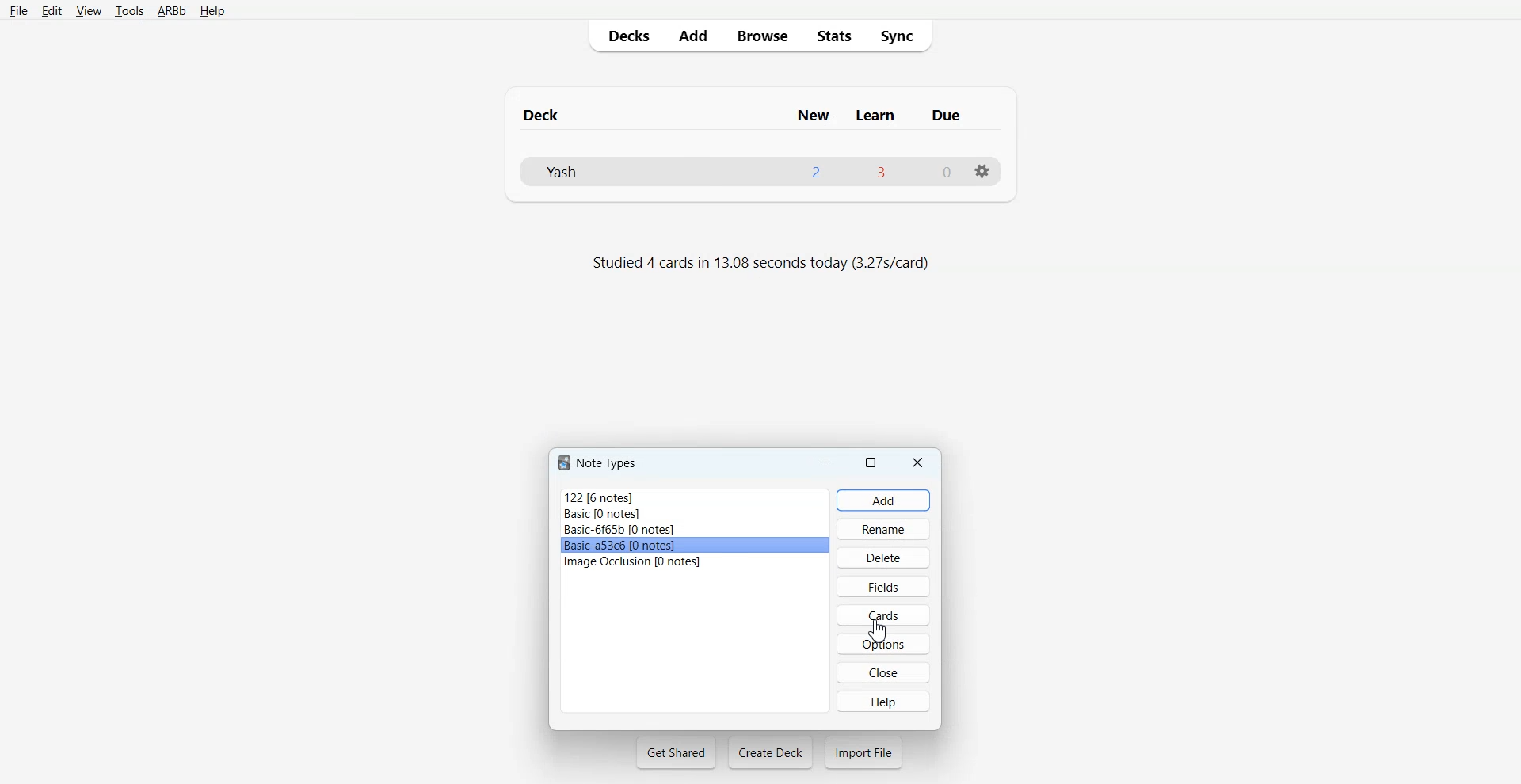 Image resolution: width=1521 pixels, height=784 pixels. What do you see at coordinates (882, 585) in the screenshot?
I see `Fields` at bounding box center [882, 585].